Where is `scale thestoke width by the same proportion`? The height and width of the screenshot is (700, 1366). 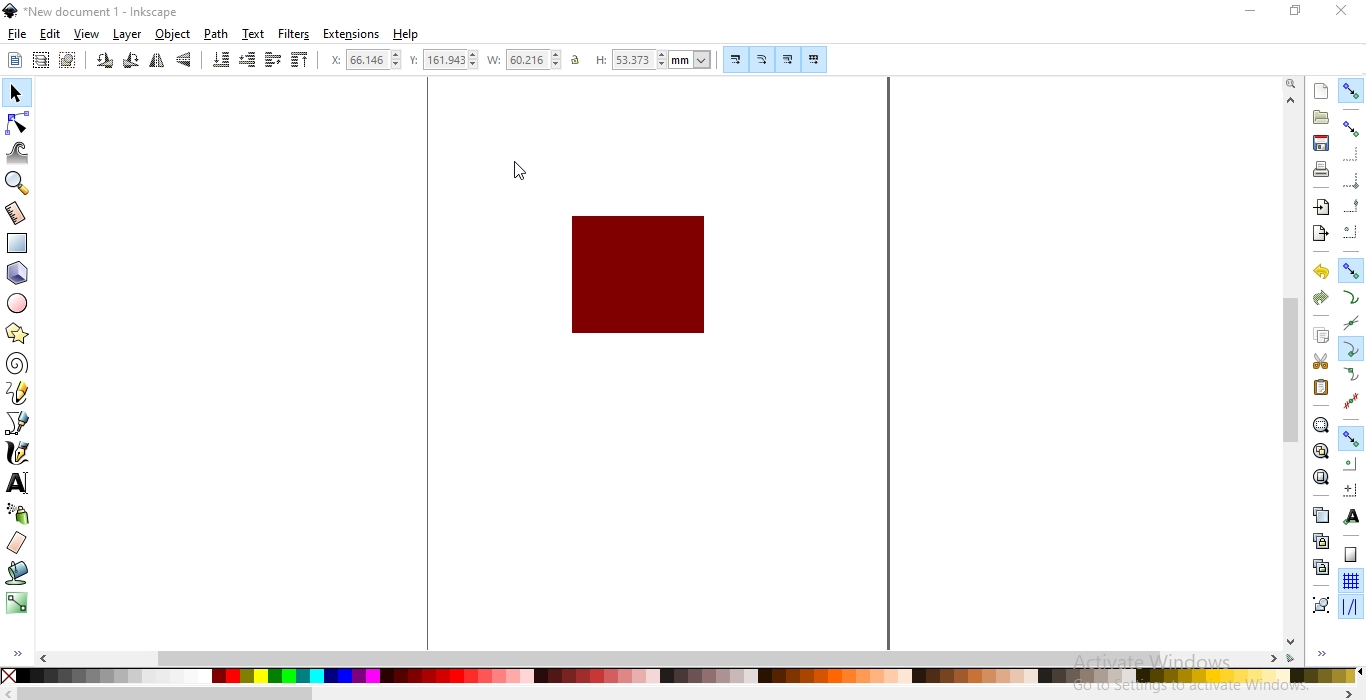 scale thestoke width by the same proportion is located at coordinates (734, 59).